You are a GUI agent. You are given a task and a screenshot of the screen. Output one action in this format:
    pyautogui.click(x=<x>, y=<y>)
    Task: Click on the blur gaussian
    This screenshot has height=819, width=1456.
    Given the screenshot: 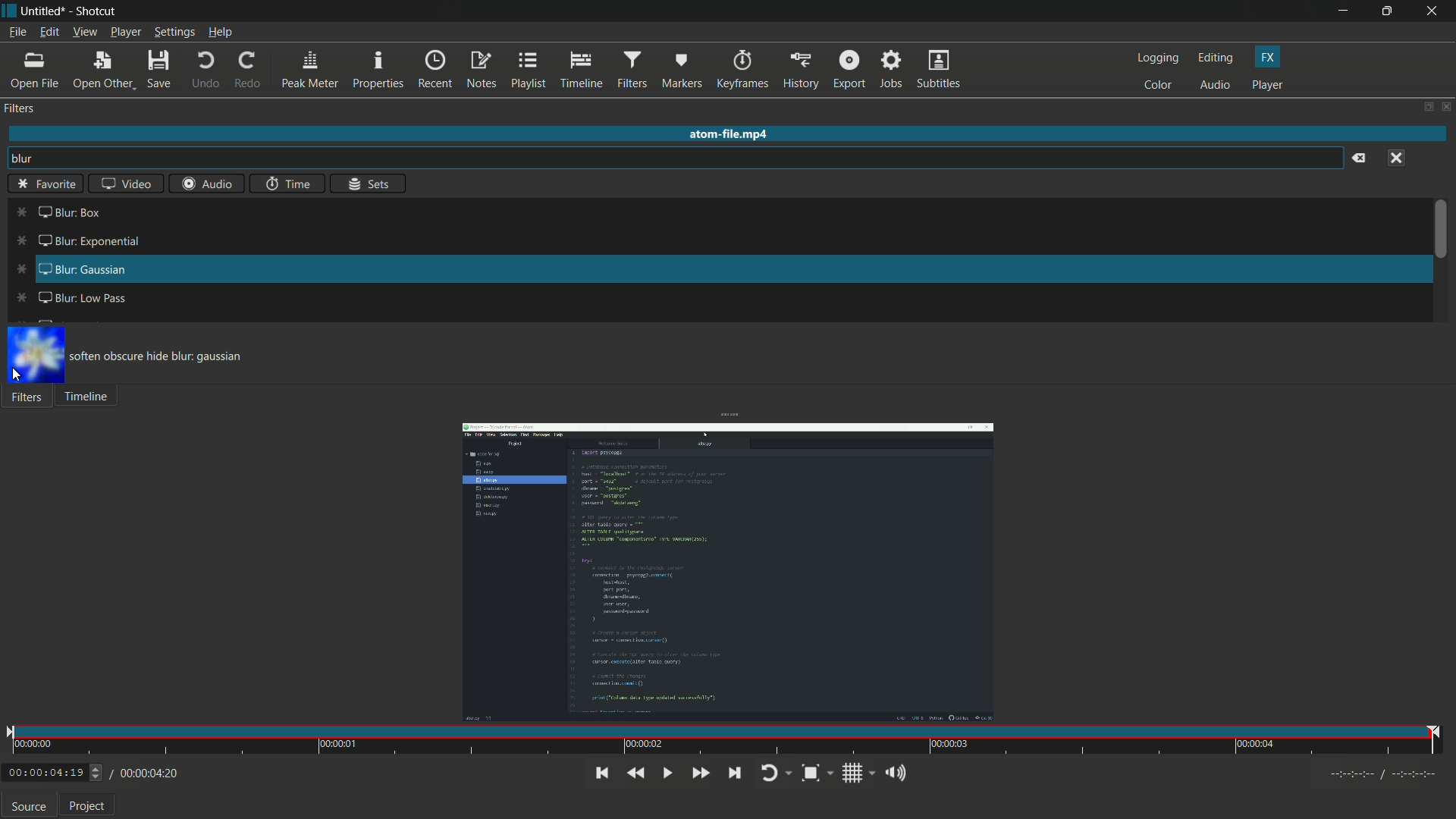 What is the action you would take?
    pyautogui.click(x=65, y=271)
    